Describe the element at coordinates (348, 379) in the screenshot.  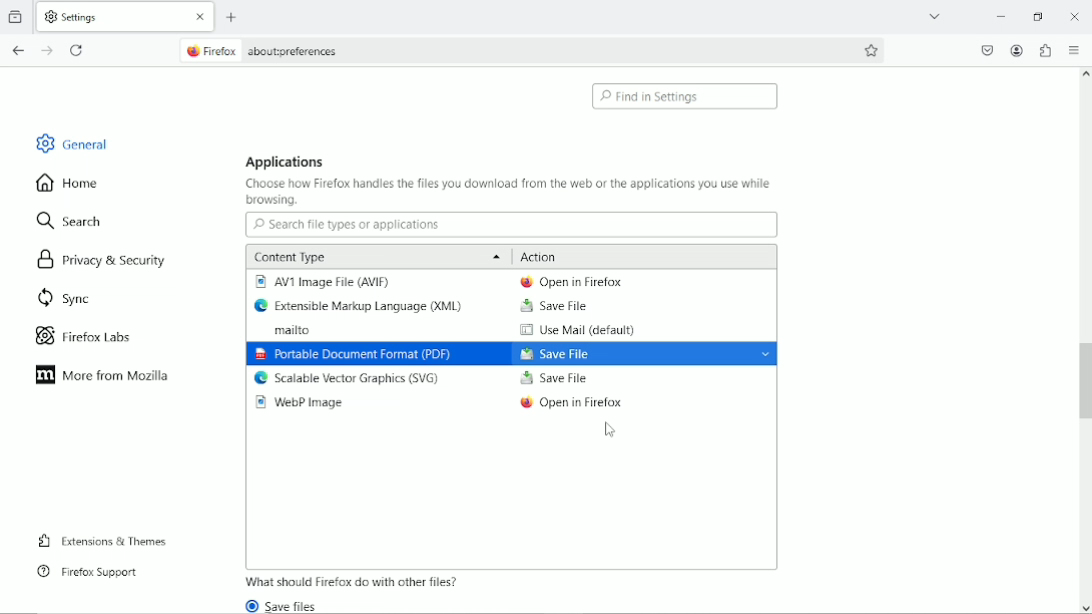
I see `Scalable Vector Graphics` at that location.